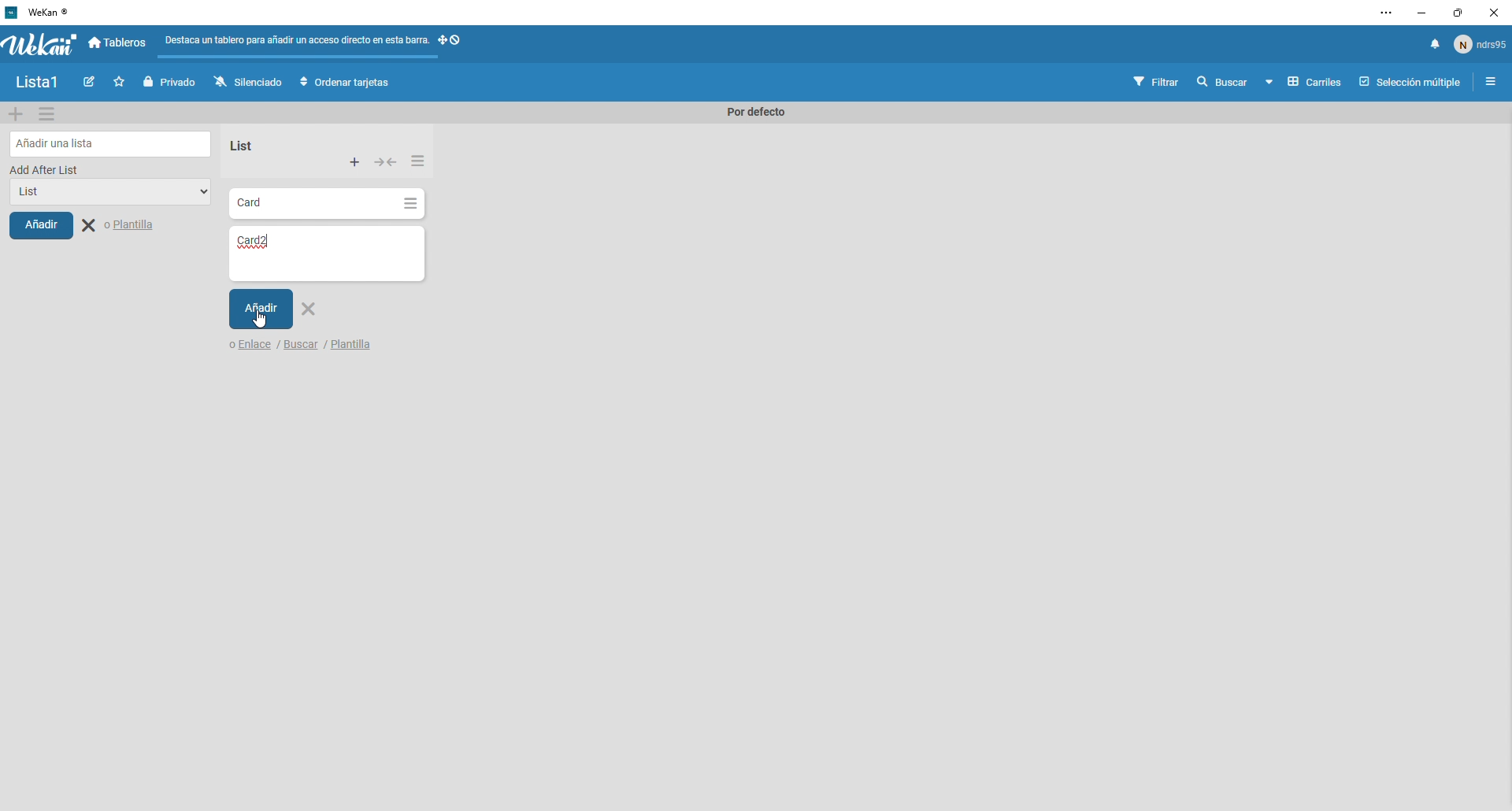 The width and height of the screenshot is (1512, 811). What do you see at coordinates (1221, 82) in the screenshot?
I see `Find` at bounding box center [1221, 82].